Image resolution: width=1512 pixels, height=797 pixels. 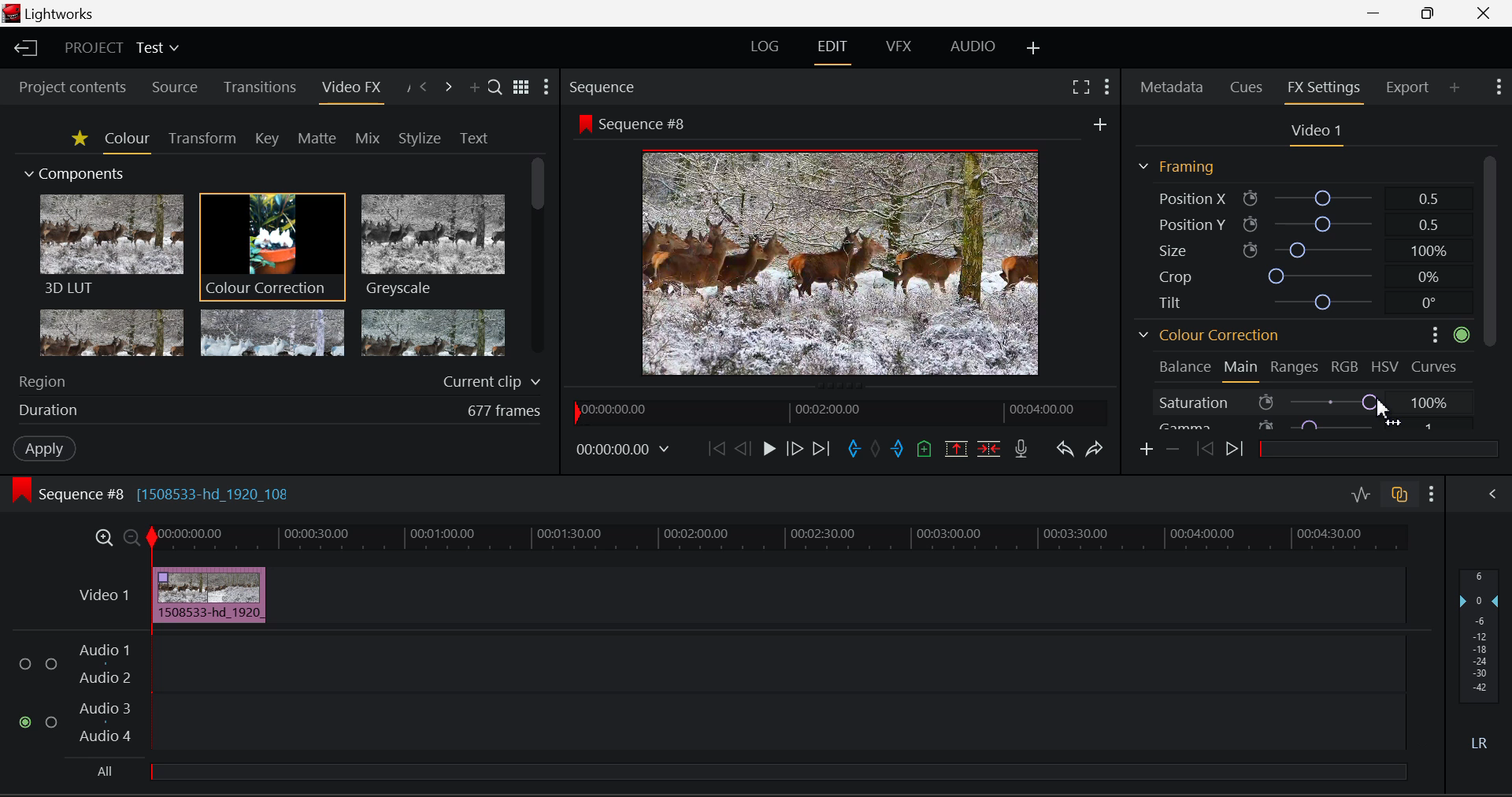 What do you see at coordinates (1492, 494) in the screenshot?
I see `Show Audio Mix` at bounding box center [1492, 494].